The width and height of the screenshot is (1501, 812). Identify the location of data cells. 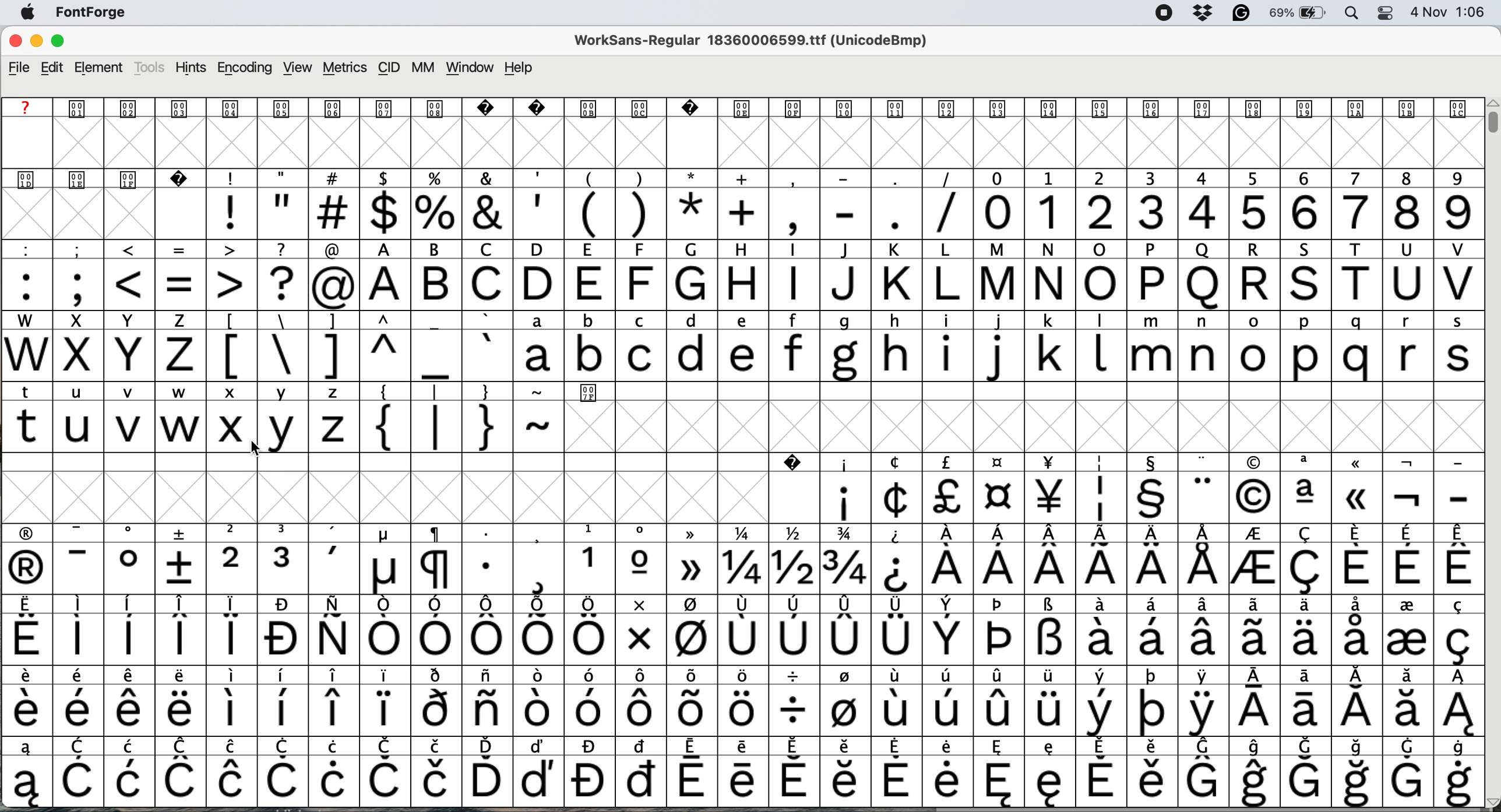
(1045, 391).